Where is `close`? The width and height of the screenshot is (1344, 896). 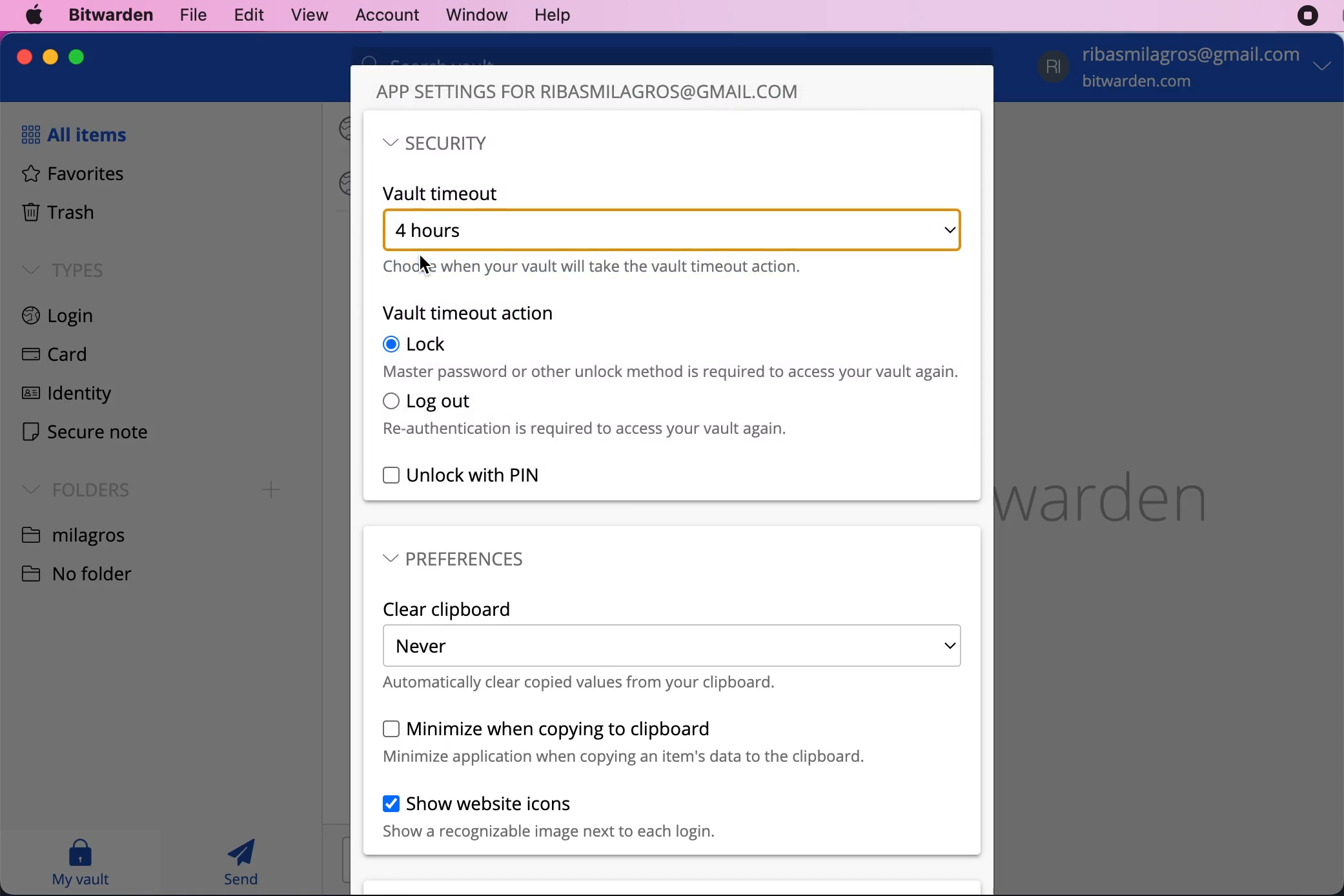 close is located at coordinates (25, 57).